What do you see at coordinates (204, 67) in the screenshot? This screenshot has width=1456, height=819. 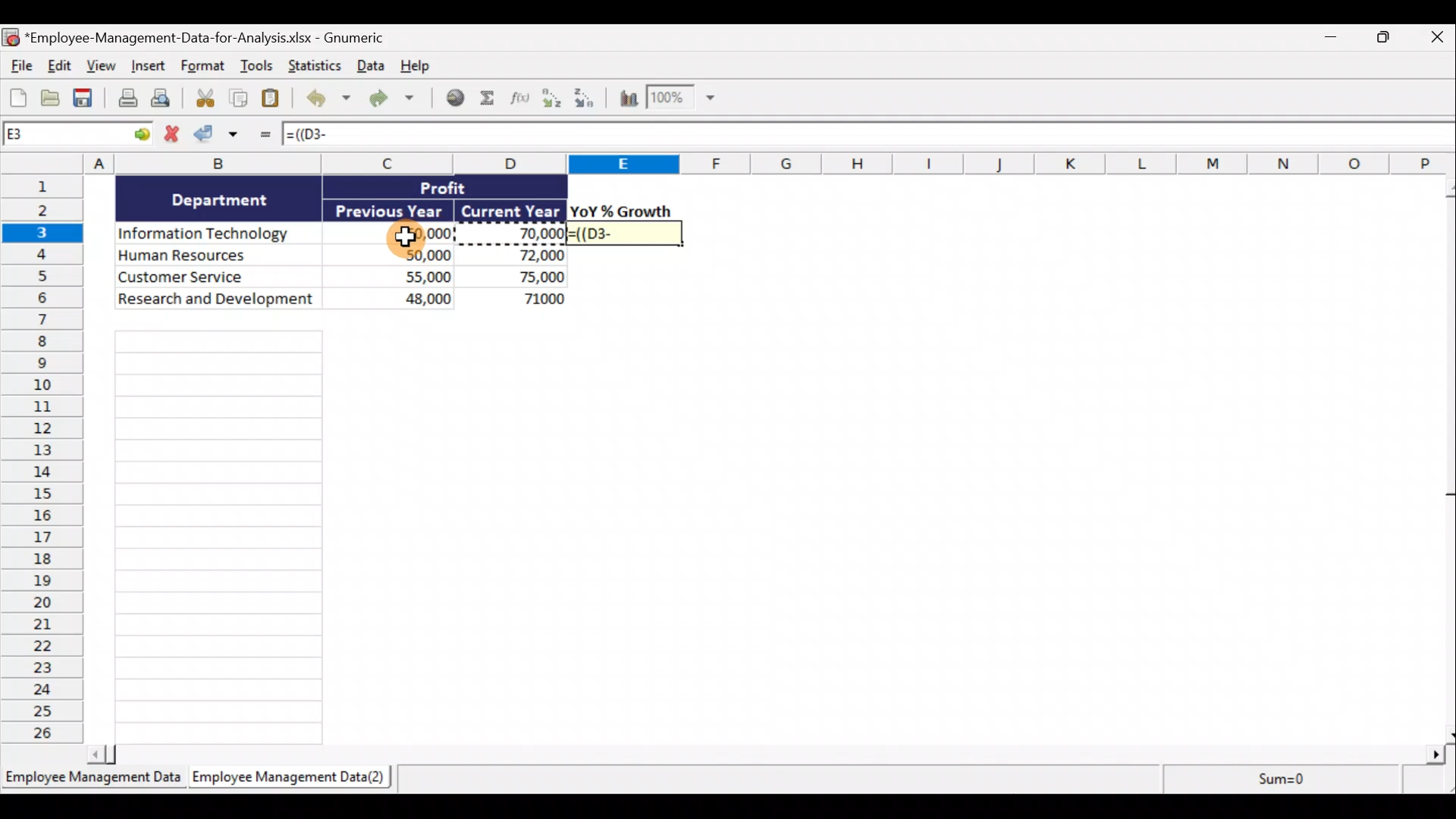 I see `Format` at bounding box center [204, 67].